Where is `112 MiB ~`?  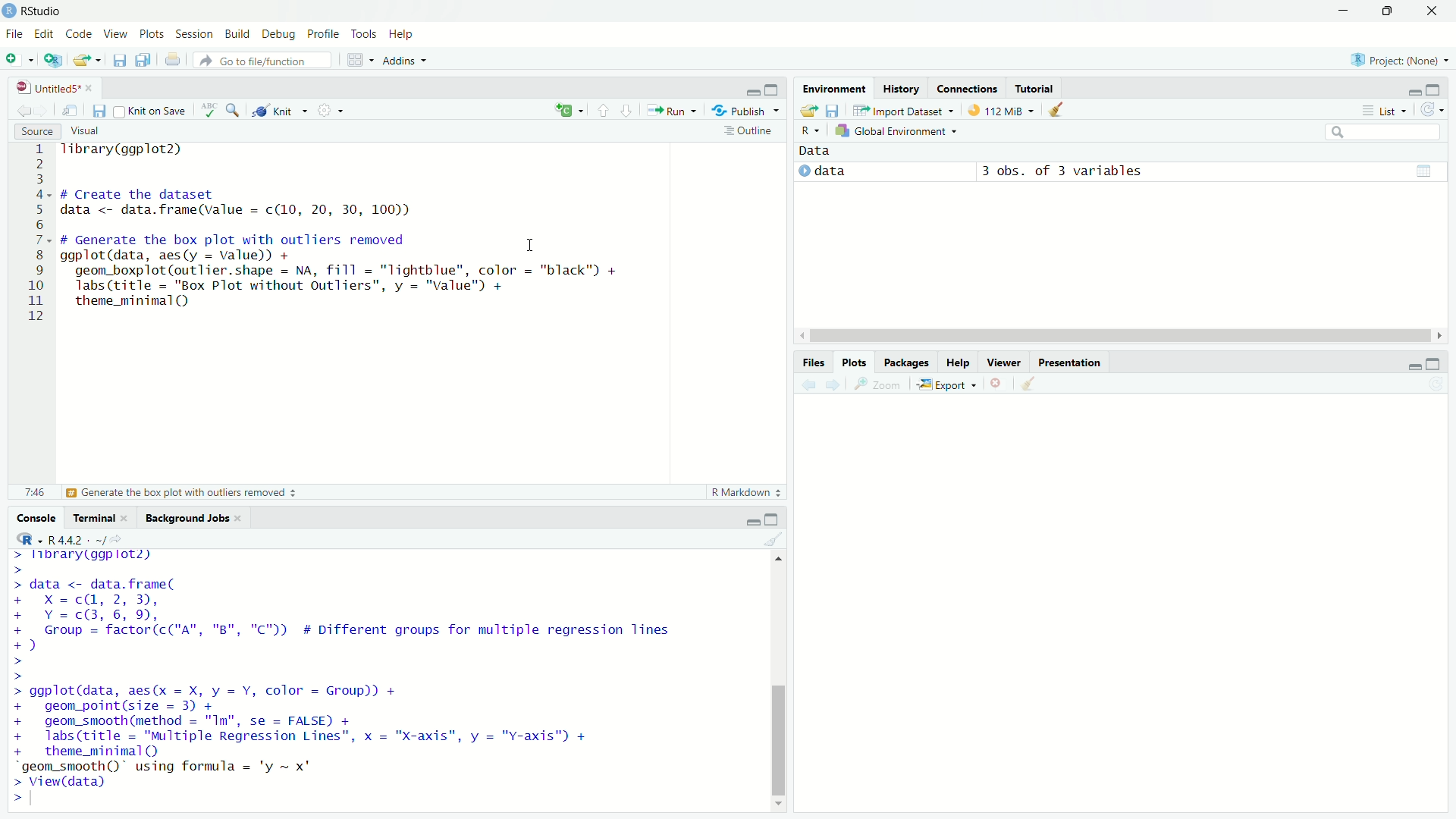 112 MiB ~ is located at coordinates (1012, 111).